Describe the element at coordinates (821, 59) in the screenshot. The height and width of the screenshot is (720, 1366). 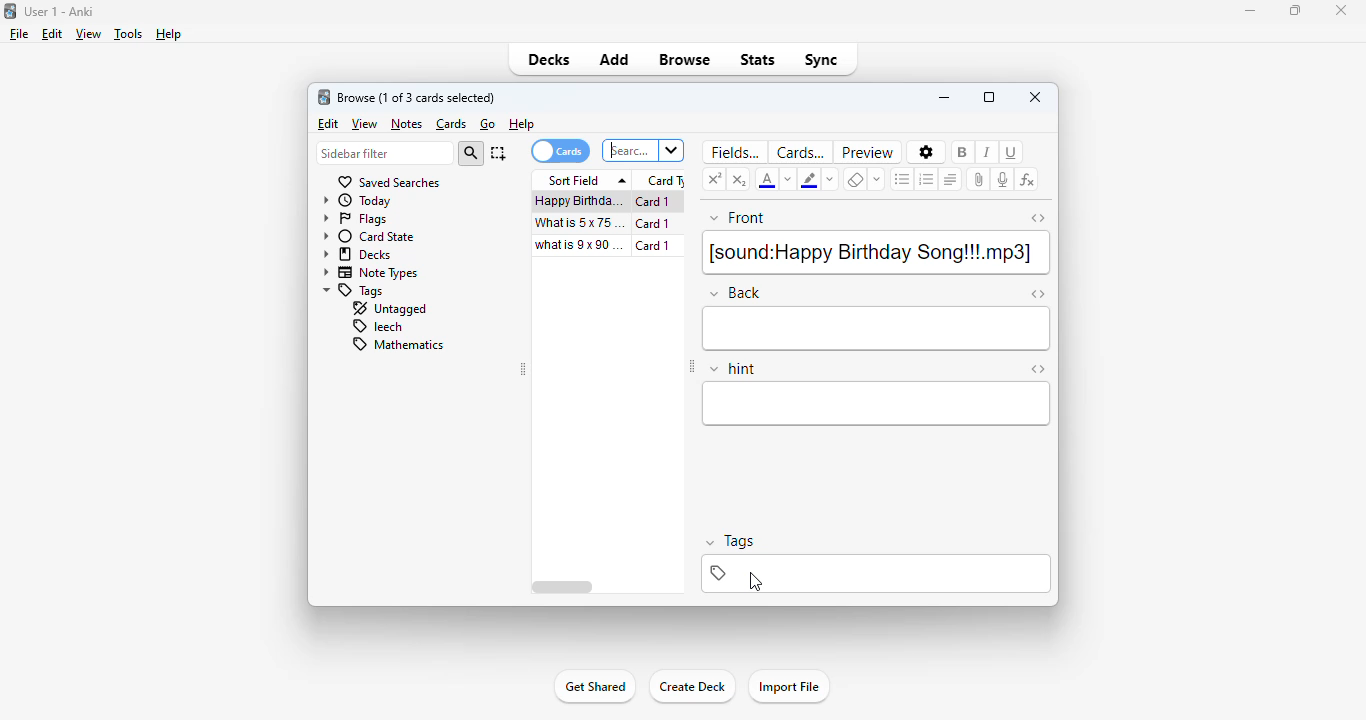
I see `sync` at that location.